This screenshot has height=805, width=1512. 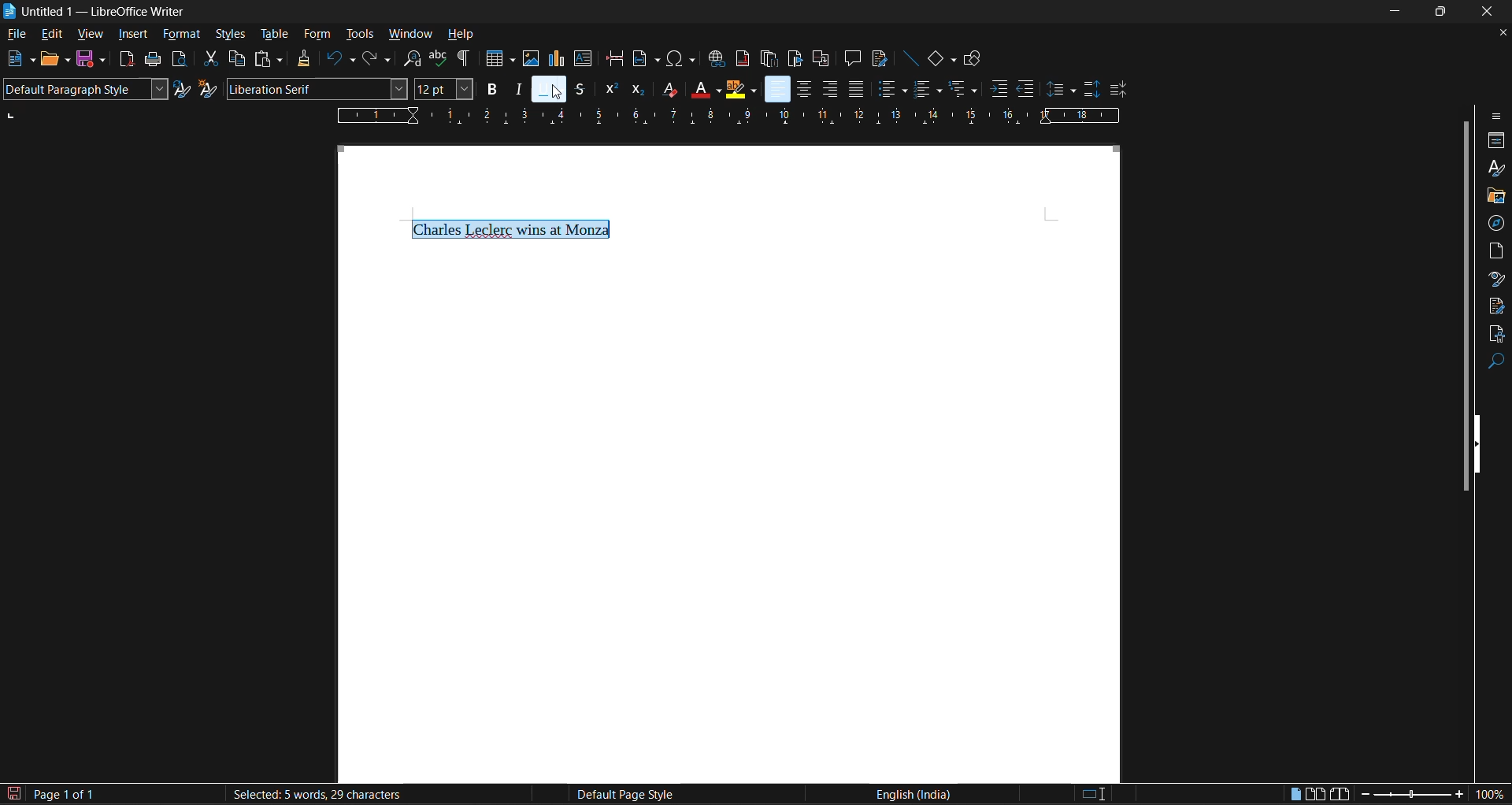 What do you see at coordinates (910, 58) in the screenshot?
I see `insert line` at bounding box center [910, 58].